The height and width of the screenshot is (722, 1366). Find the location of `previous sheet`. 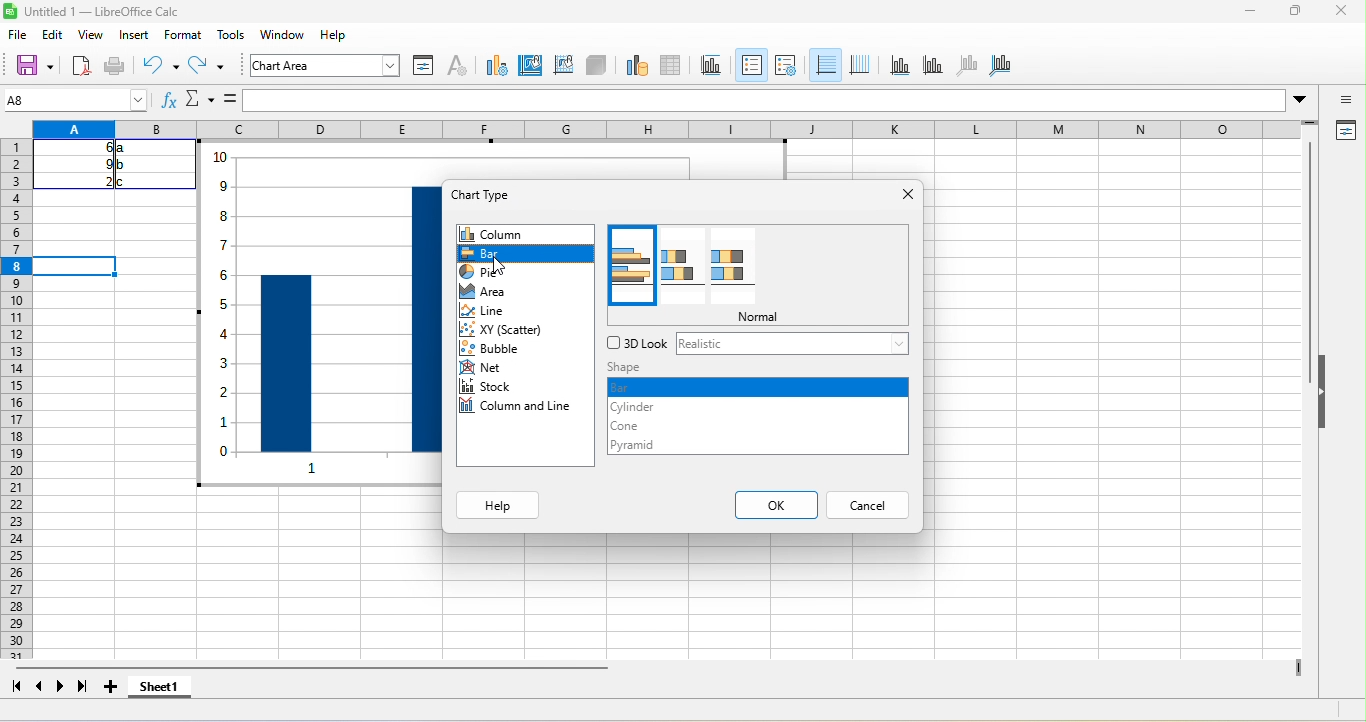

previous sheet is located at coordinates (41, 688).